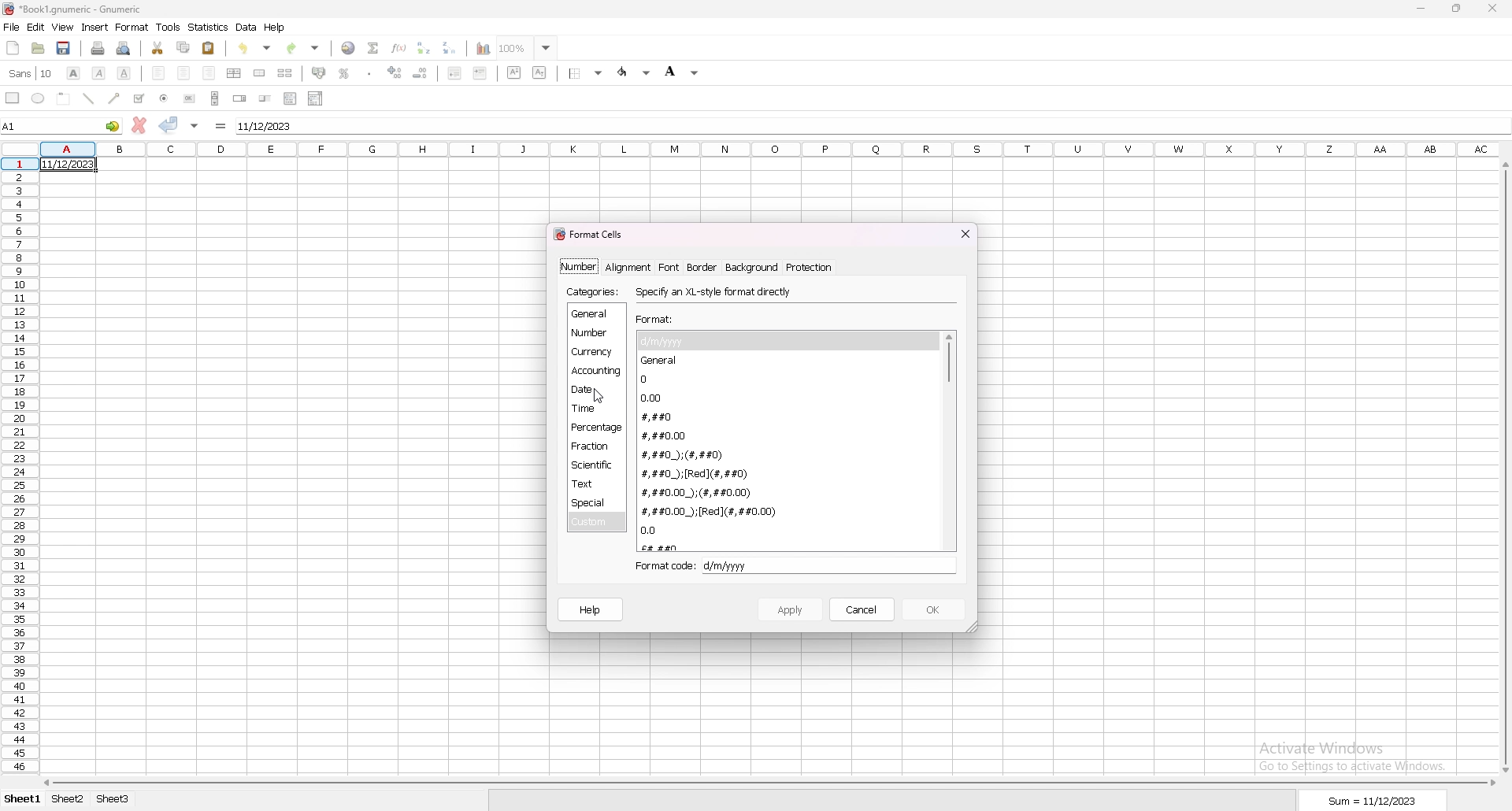  What do you see at coordinates (64, 98) in the screenshot?
I see `frame` at bounding box center [64, 98].